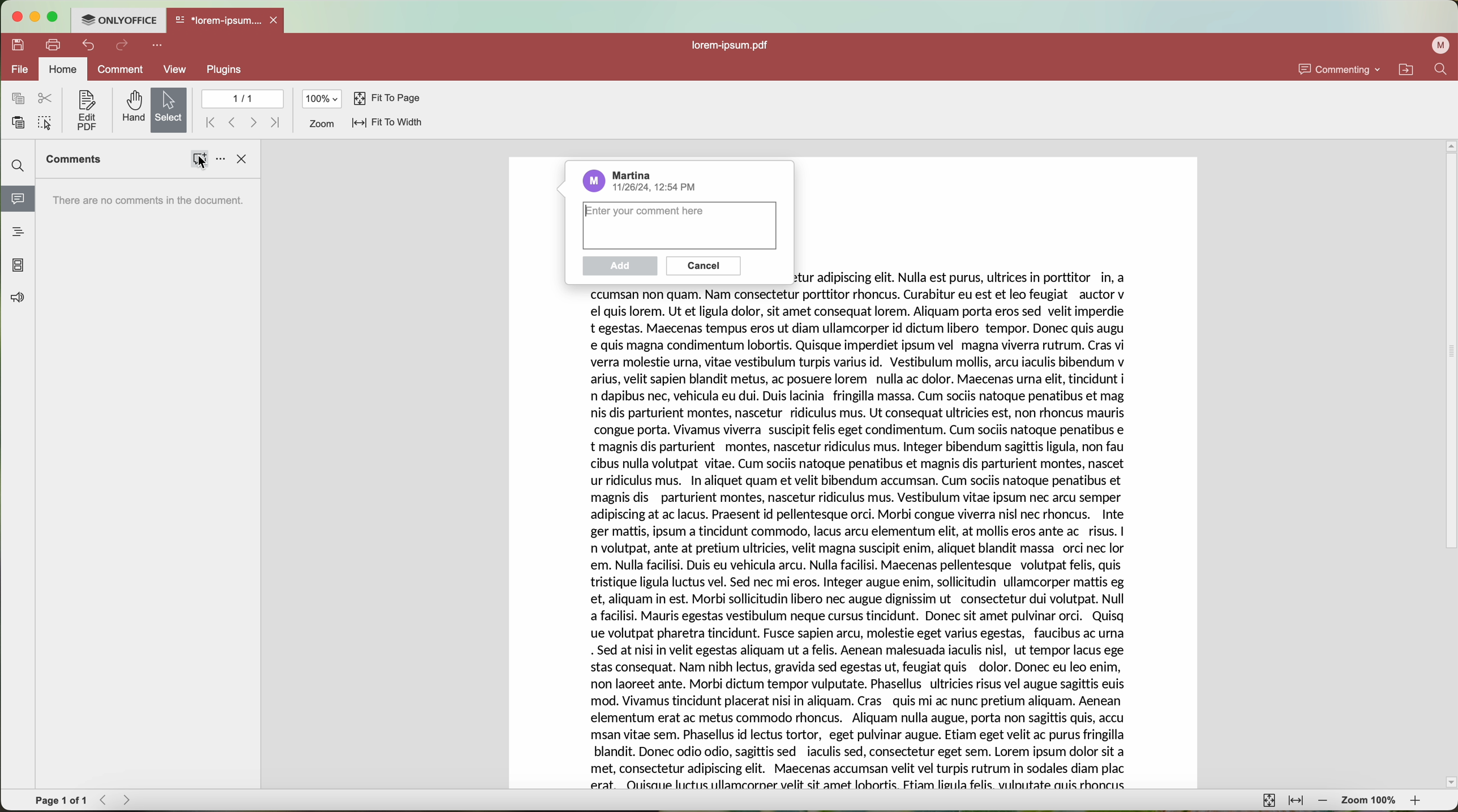 This screenshot has width=1458, height=812. I want to click on 1/1, so click(242, 98).